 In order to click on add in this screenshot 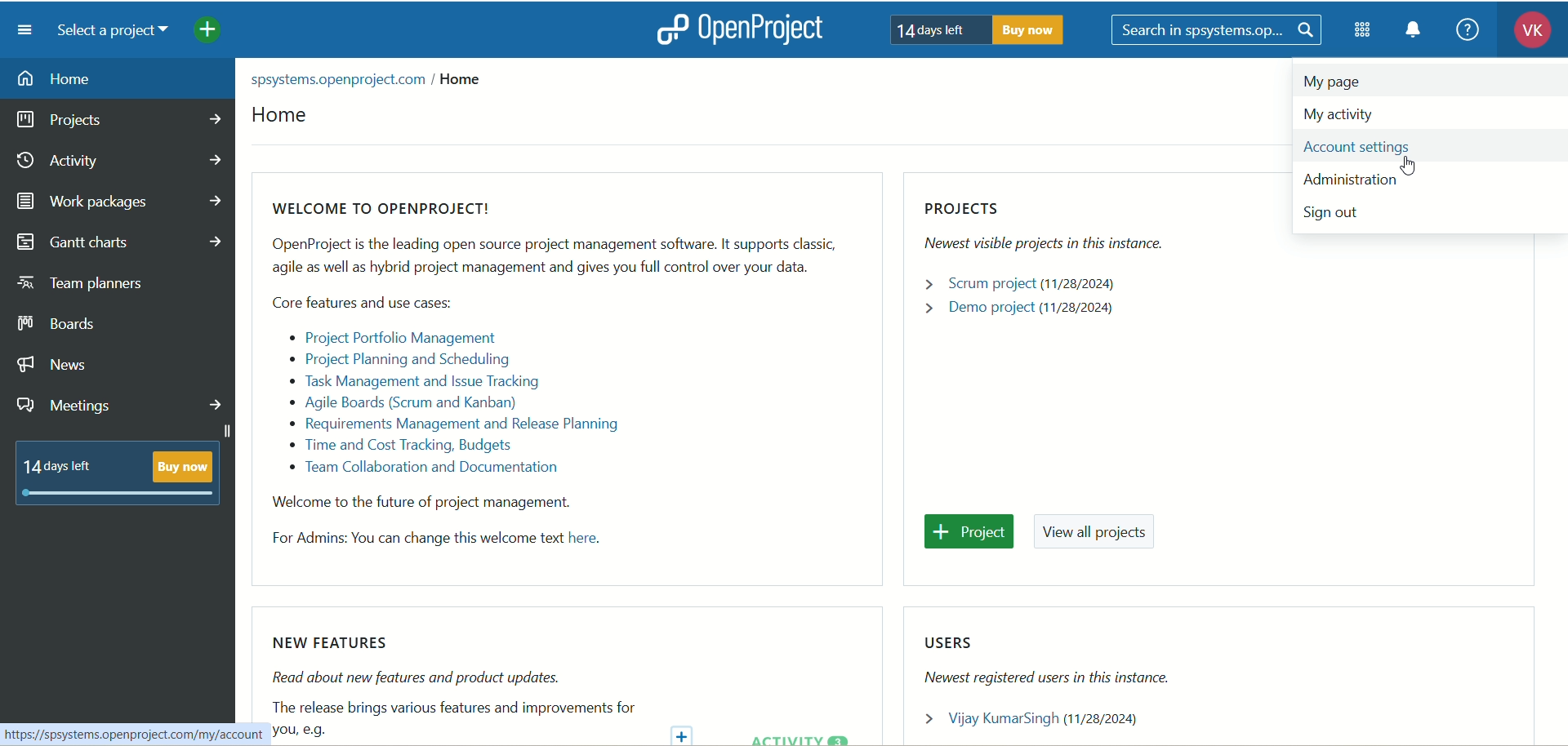, I will do `click(685, 732)`.